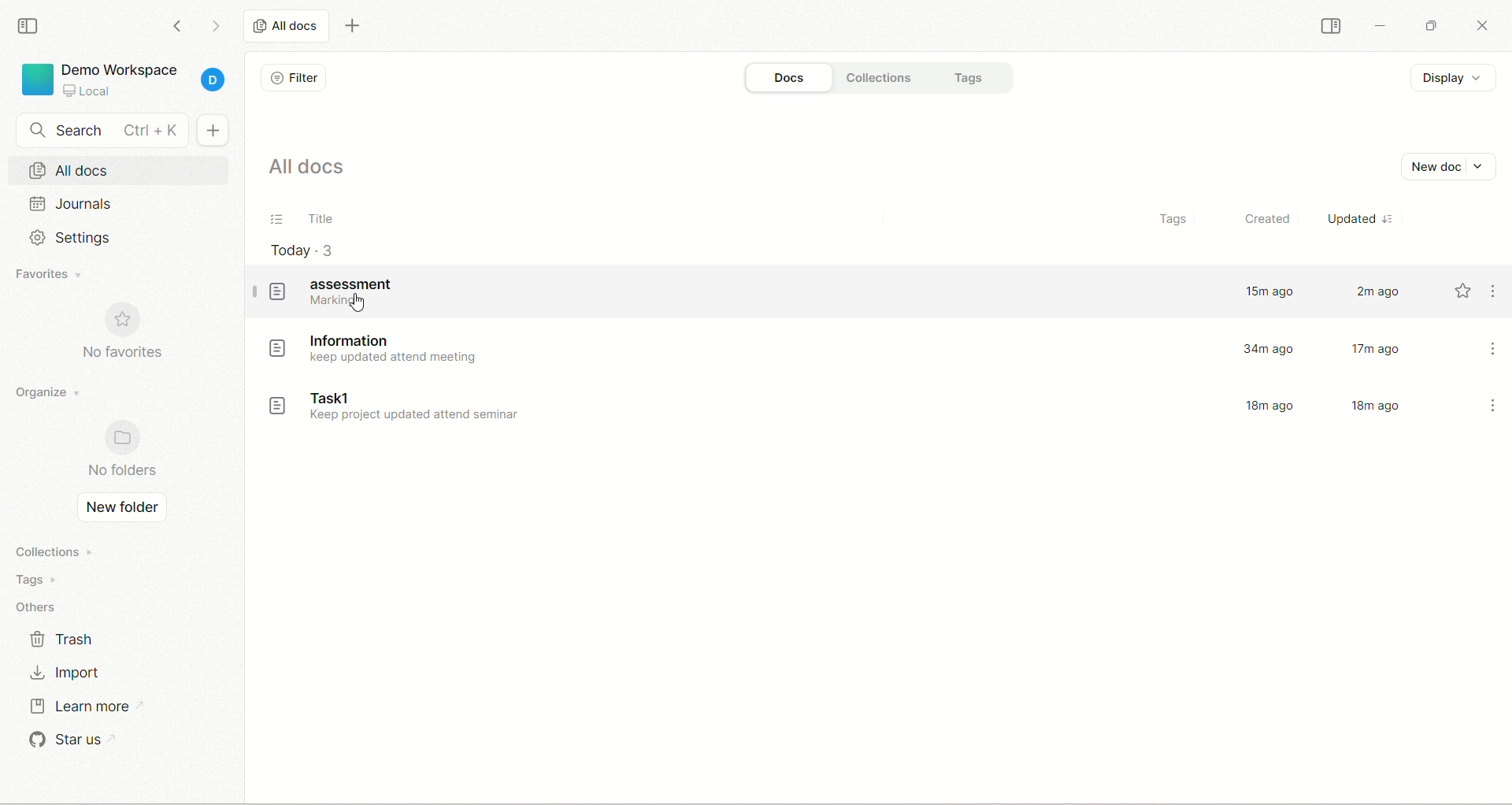 The height and width of the screenshot is (805, 1512). Describe the element at coordinates (49, 390) in the screenshot. I see `organize` at that location.